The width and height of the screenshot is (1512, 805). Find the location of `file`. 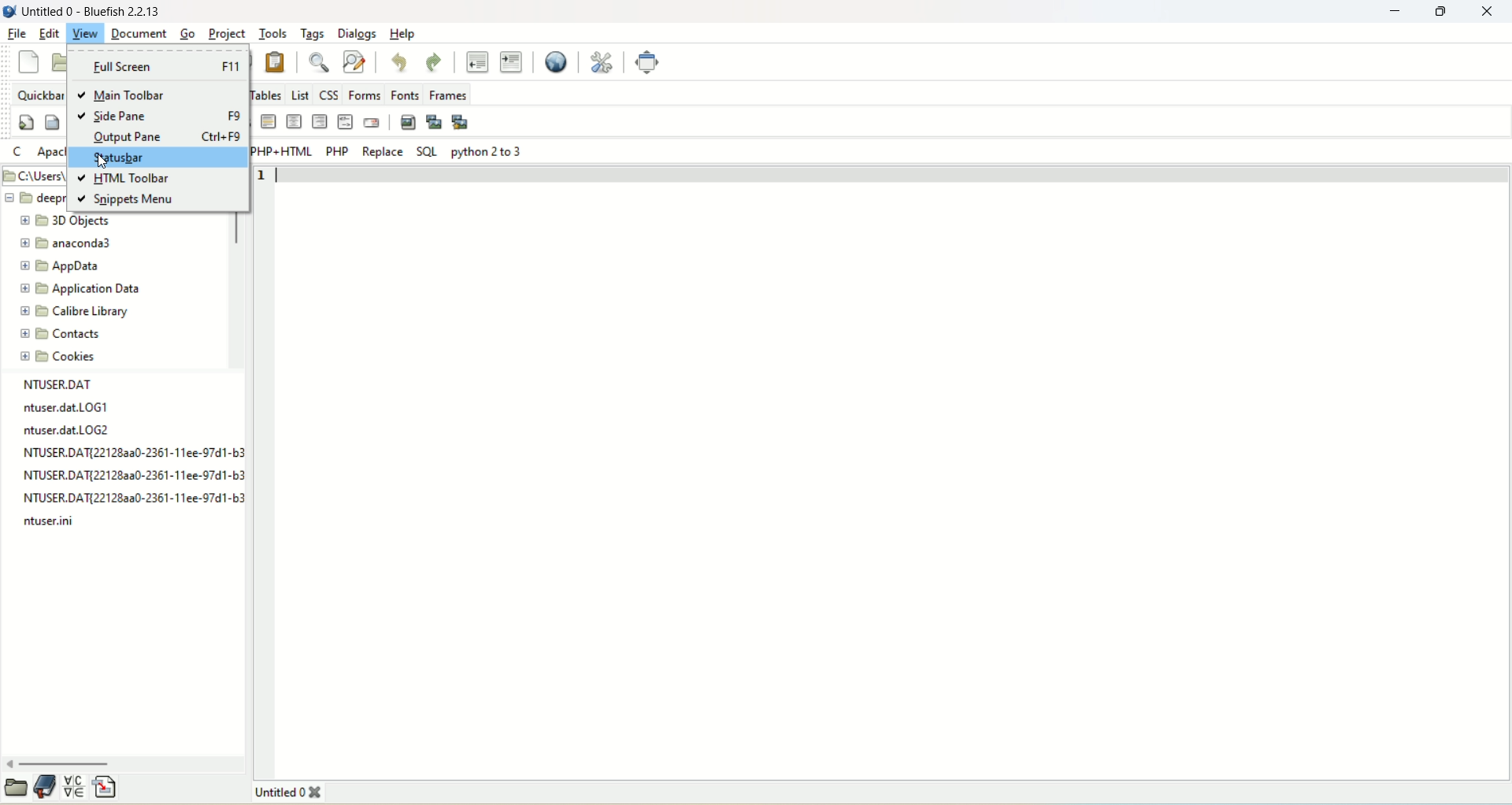

file is located at coordinates (13, 33).